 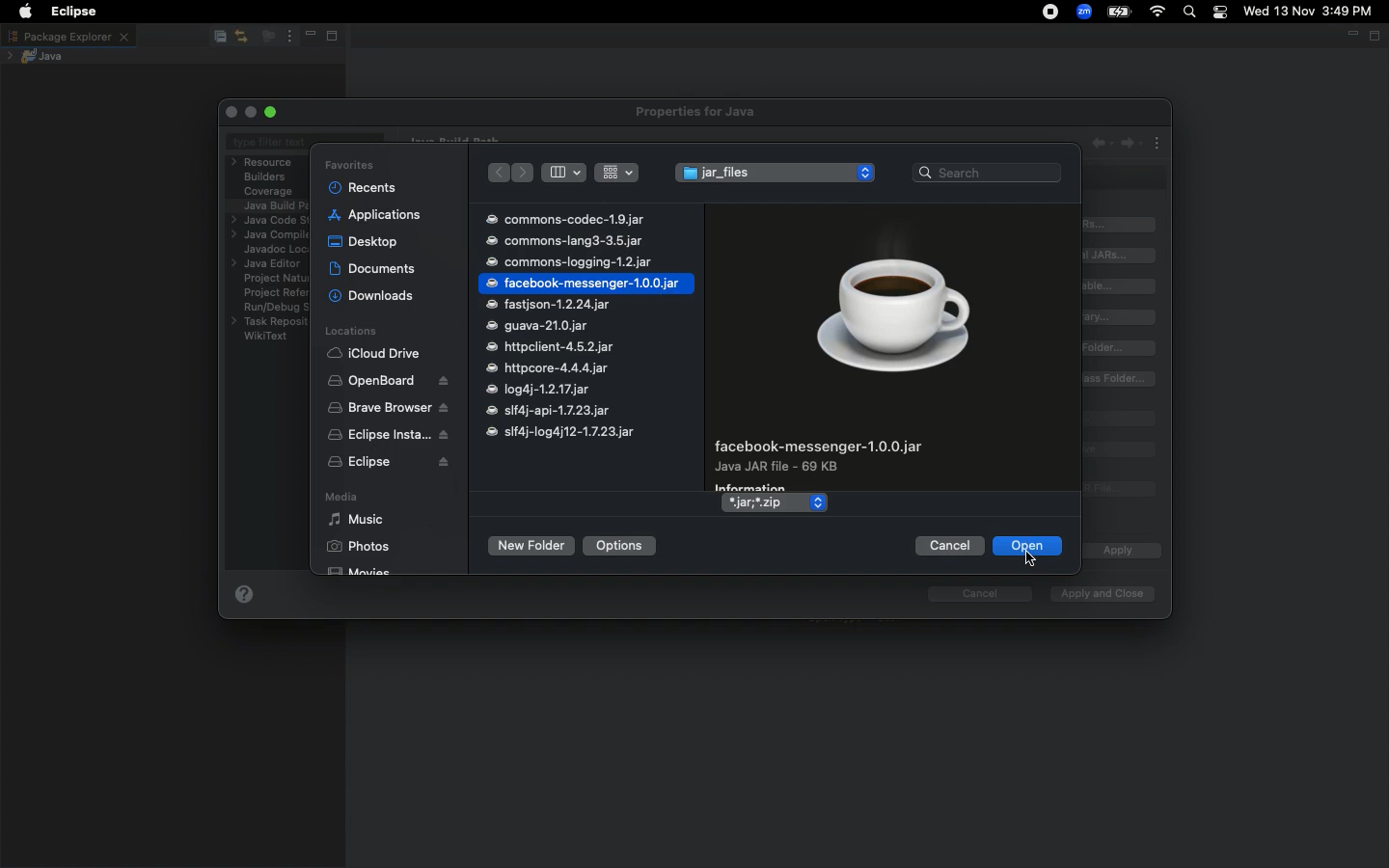 What do you see at coordinates (269, 264) in the screenshot?
I see `Java editor` at bounding box center [269, 264].